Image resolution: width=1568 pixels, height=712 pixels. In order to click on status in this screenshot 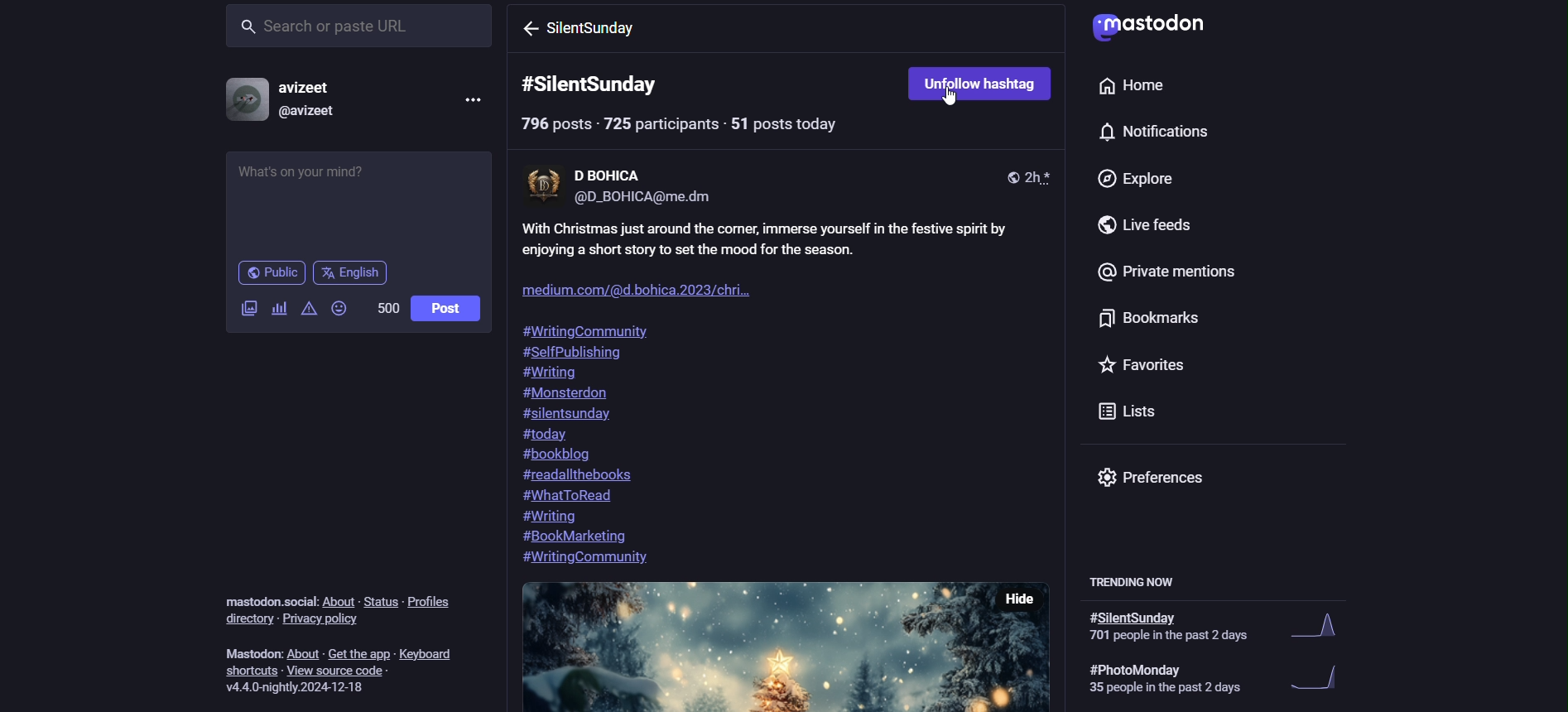, I will do `click(378, 596)`.